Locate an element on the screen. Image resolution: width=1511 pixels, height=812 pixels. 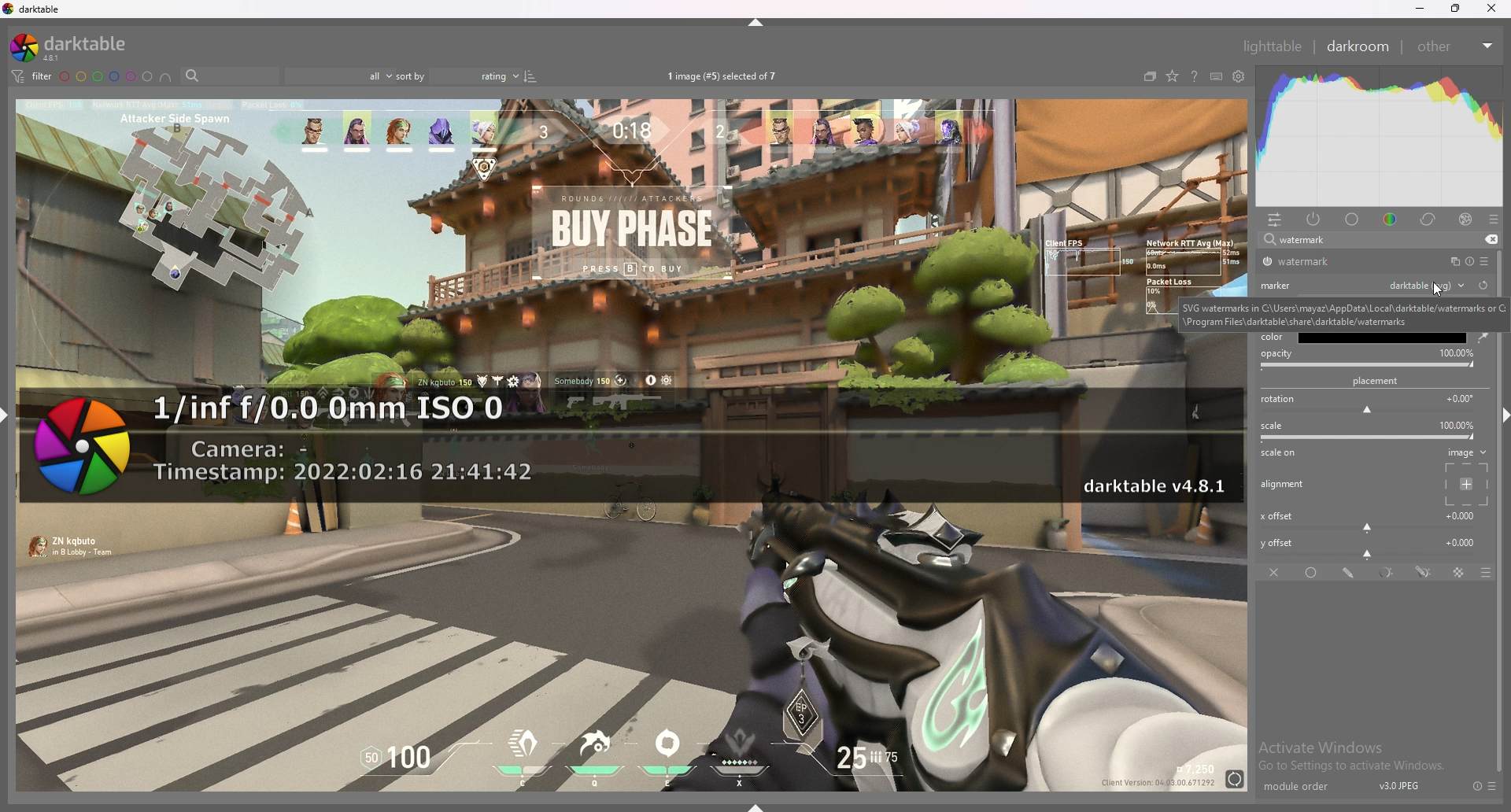
cursor is located at coordinates (1432, 293).